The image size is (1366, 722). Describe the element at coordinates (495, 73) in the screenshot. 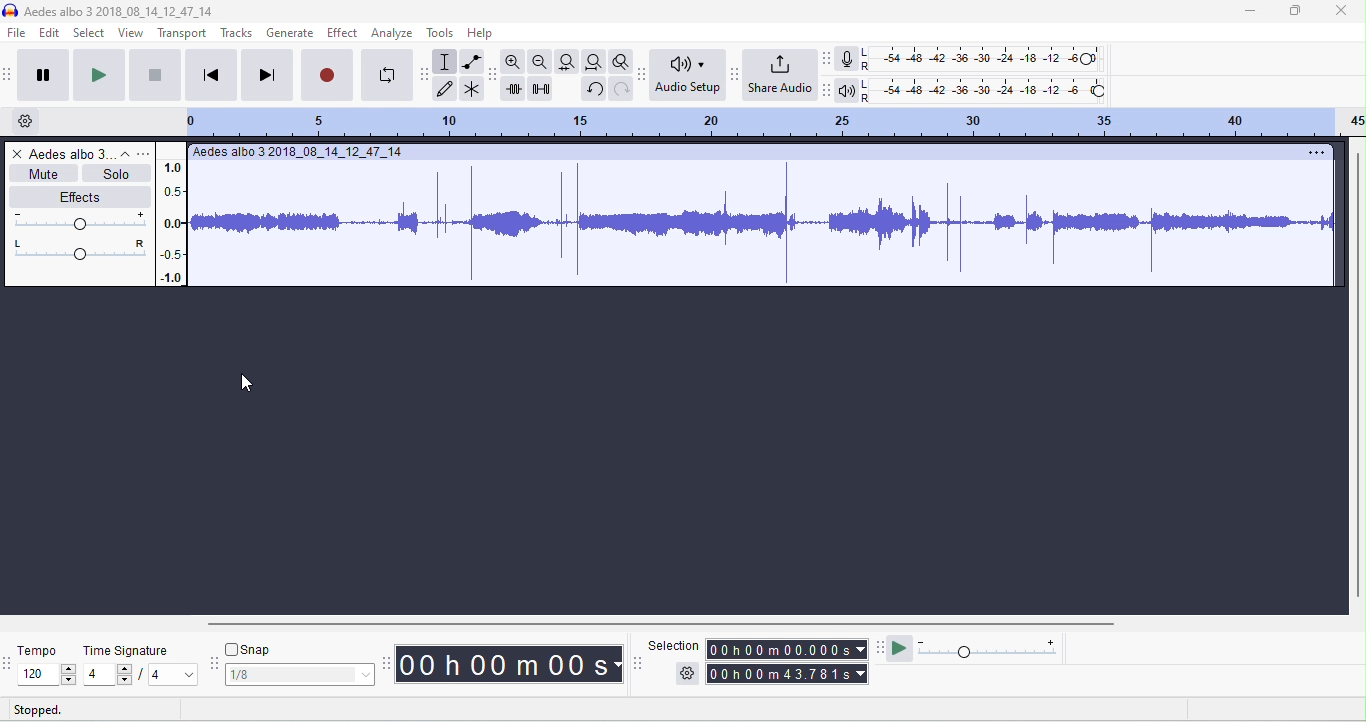

I see `audacity edit toolbar` at that location.